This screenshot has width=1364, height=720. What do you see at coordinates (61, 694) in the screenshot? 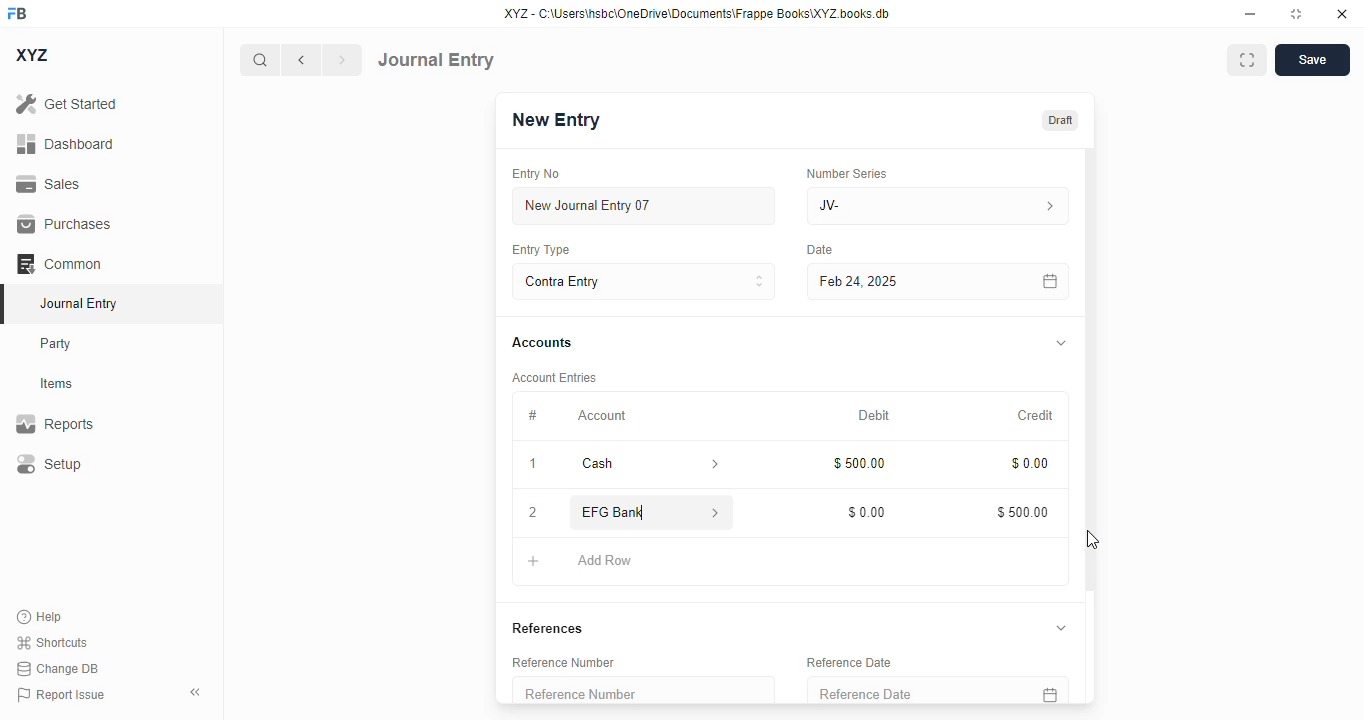
I see `report issue` at bounding box center [61, 694].